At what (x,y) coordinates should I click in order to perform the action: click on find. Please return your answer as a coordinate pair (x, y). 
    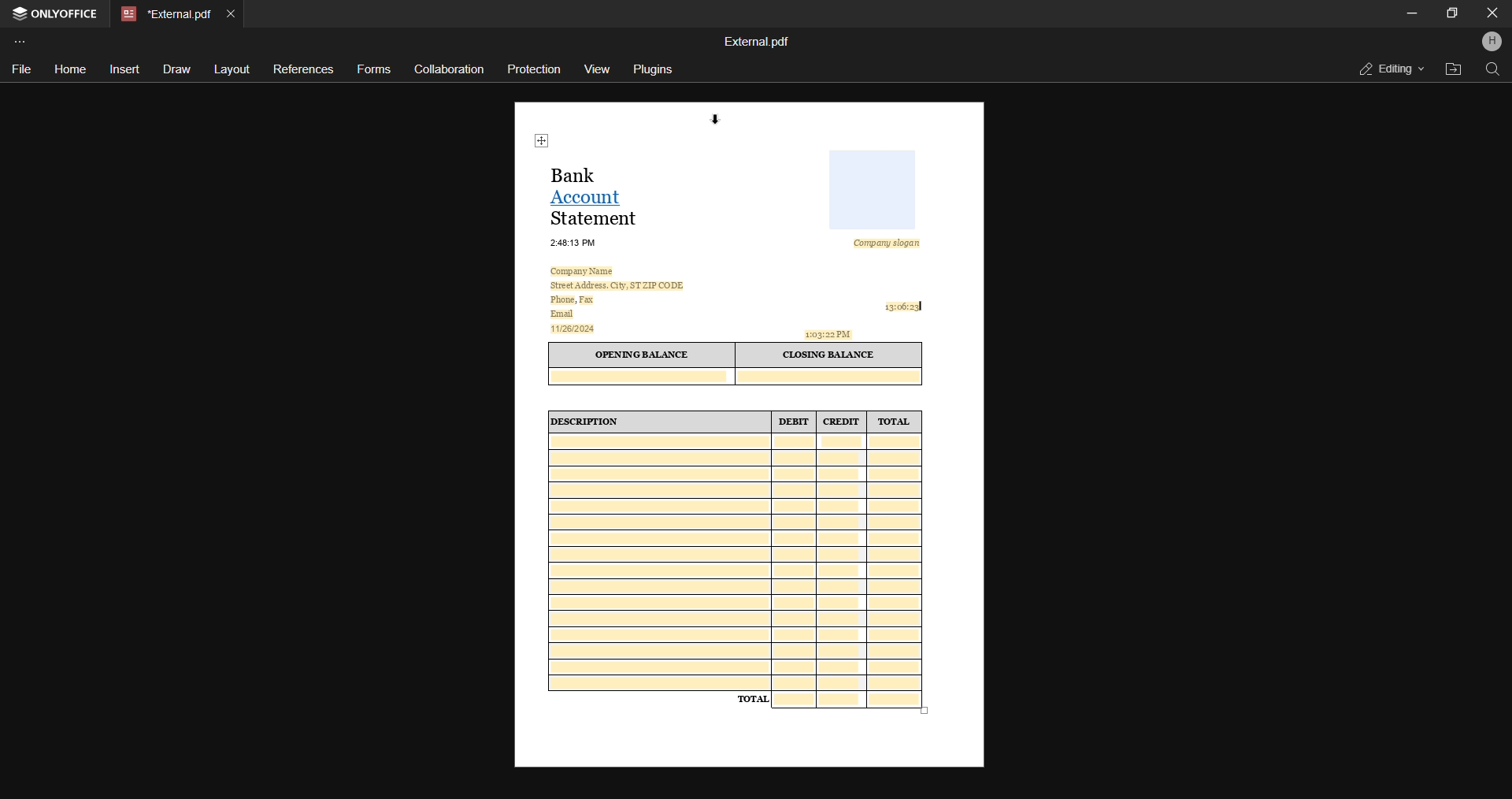
    Looking at the image, I should click on (1495, 69).